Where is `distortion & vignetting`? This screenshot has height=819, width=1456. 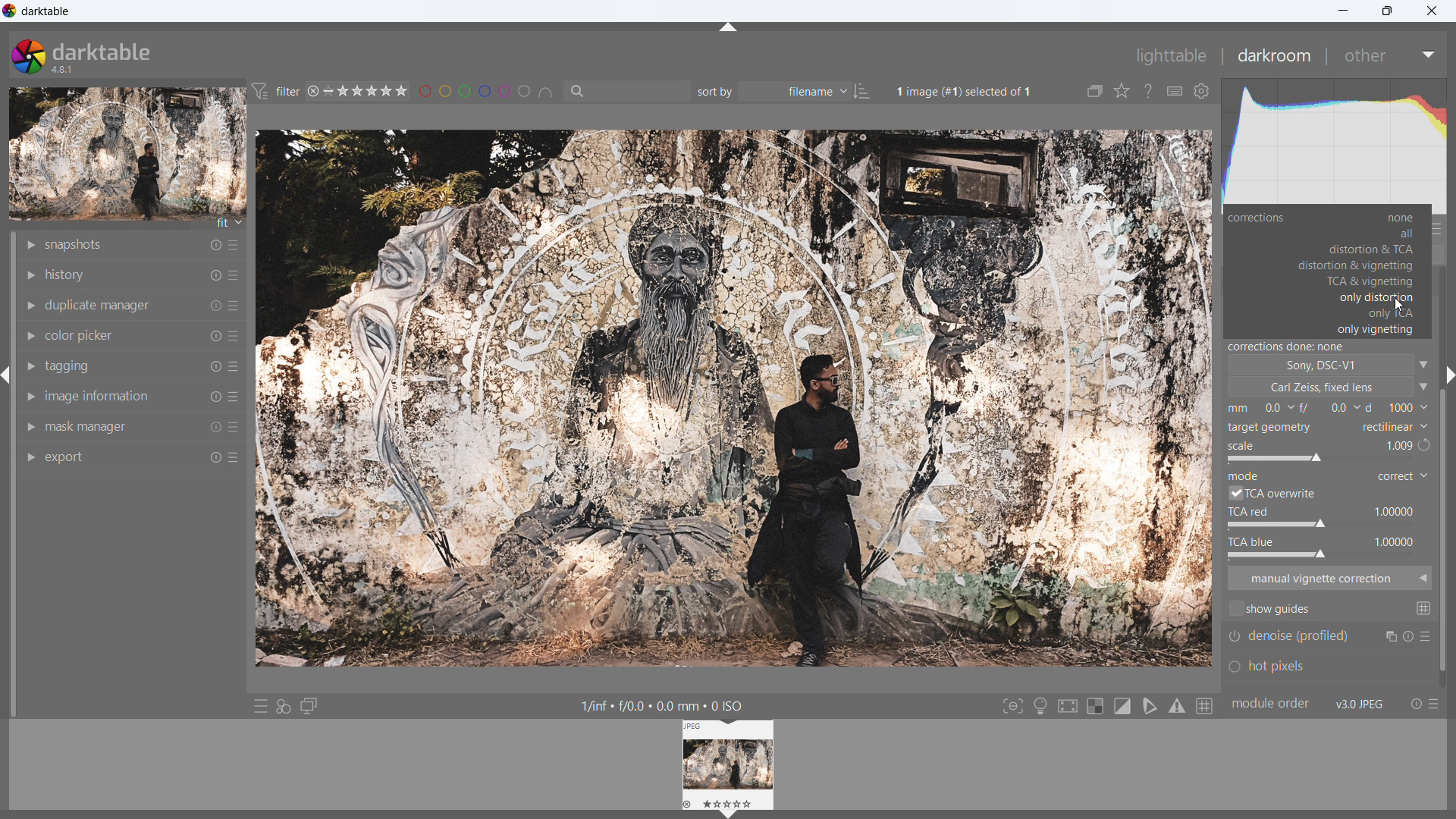
distortion & vignetting is located at coordinates (1359, 265).